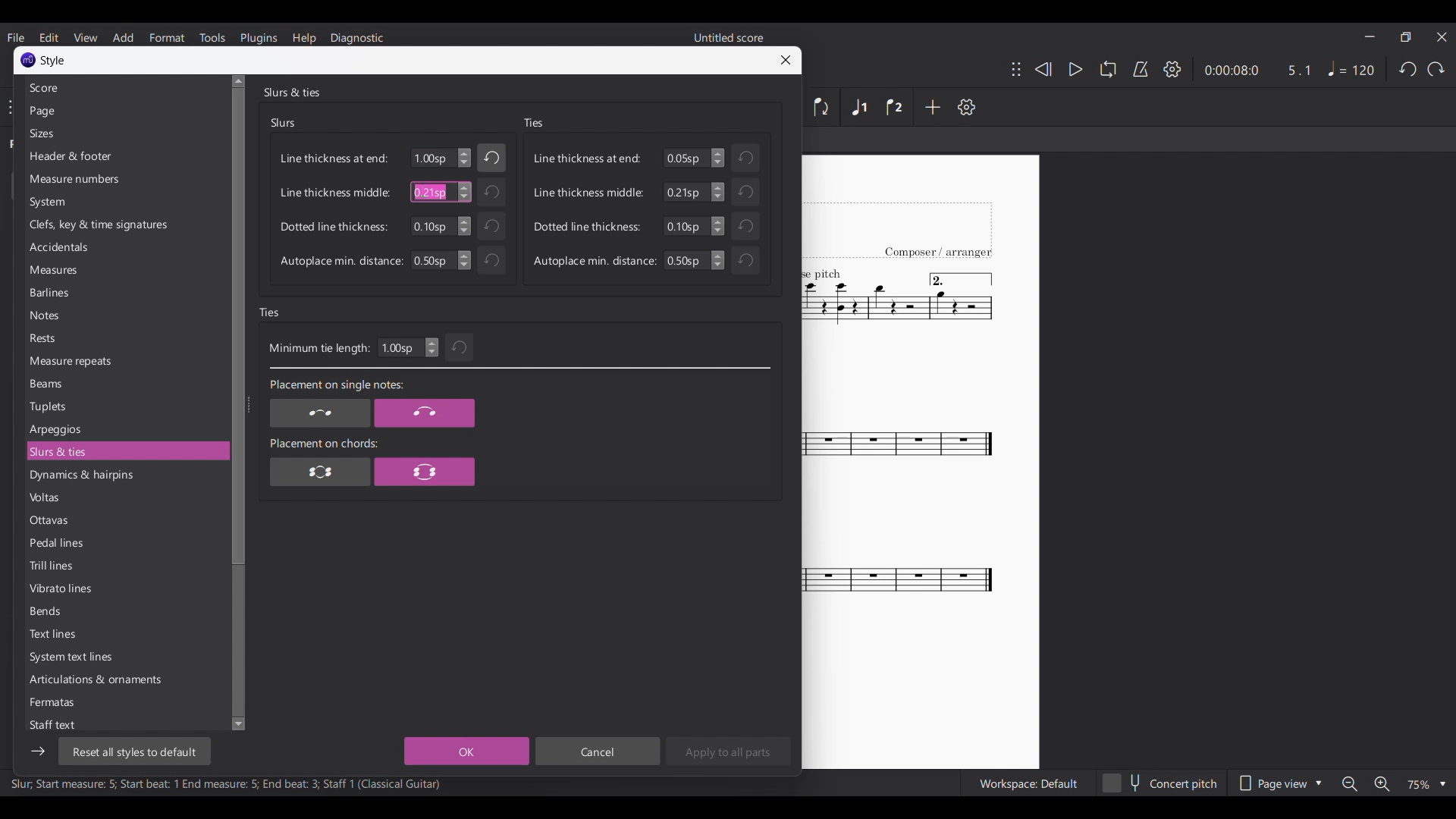 Image resolution: width=1456 pixels, height=819 pixels. What do you see at coordinates (1380, 783) in the screenshot?
I see `Zoom in` at bounding box center [1380, 783].